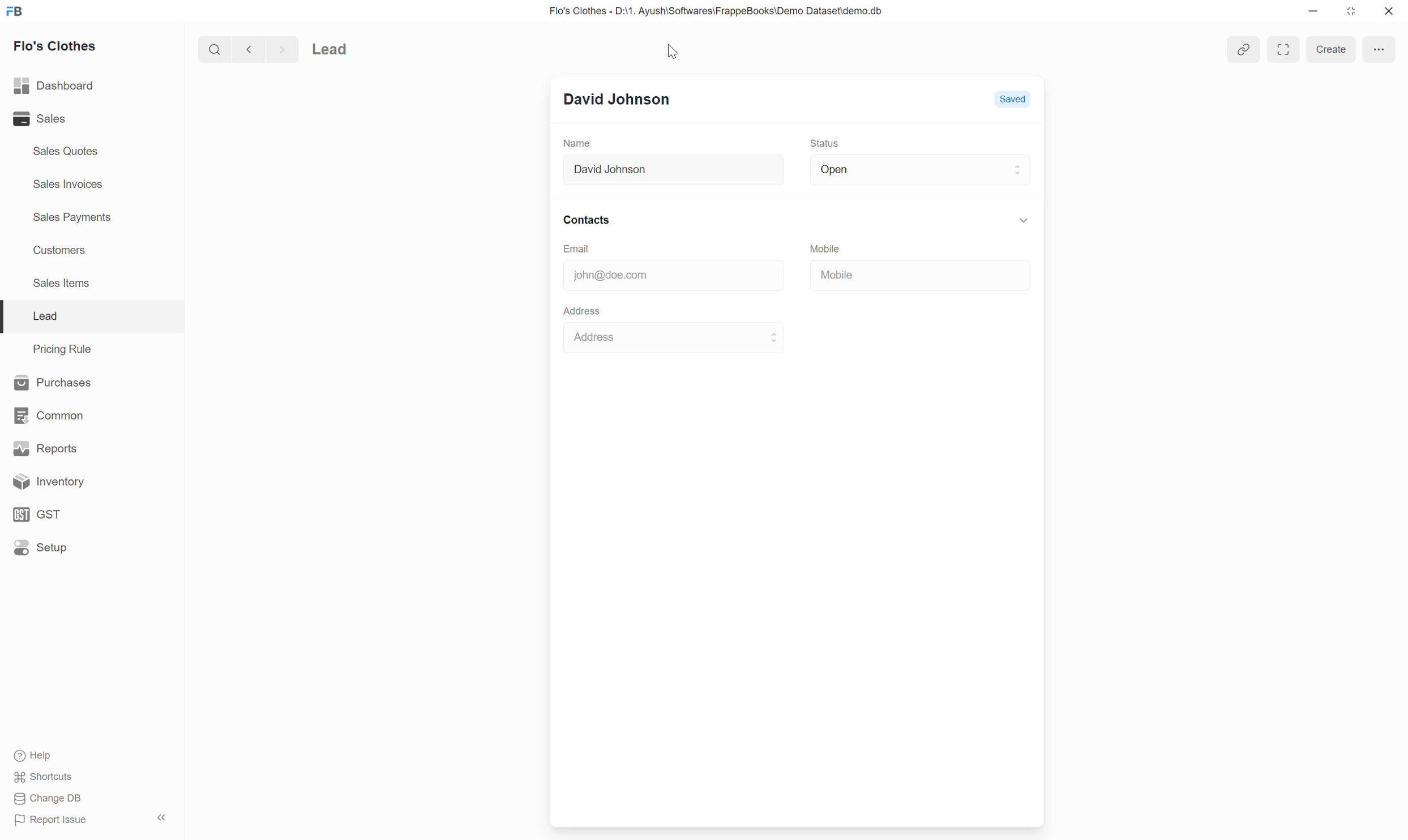  Describe the element at coordinates (40, 753) in the screenshot. I see `(®) Help` at that location.